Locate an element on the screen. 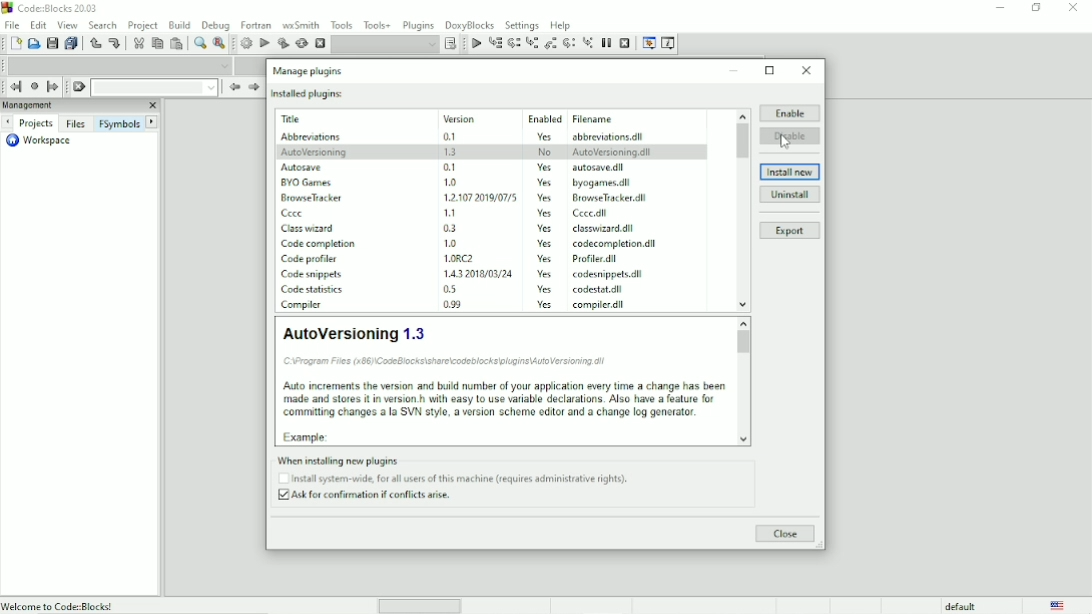 The width and height of the screenshot is (1092, 614). Settings is located at coordinates (523, 24).